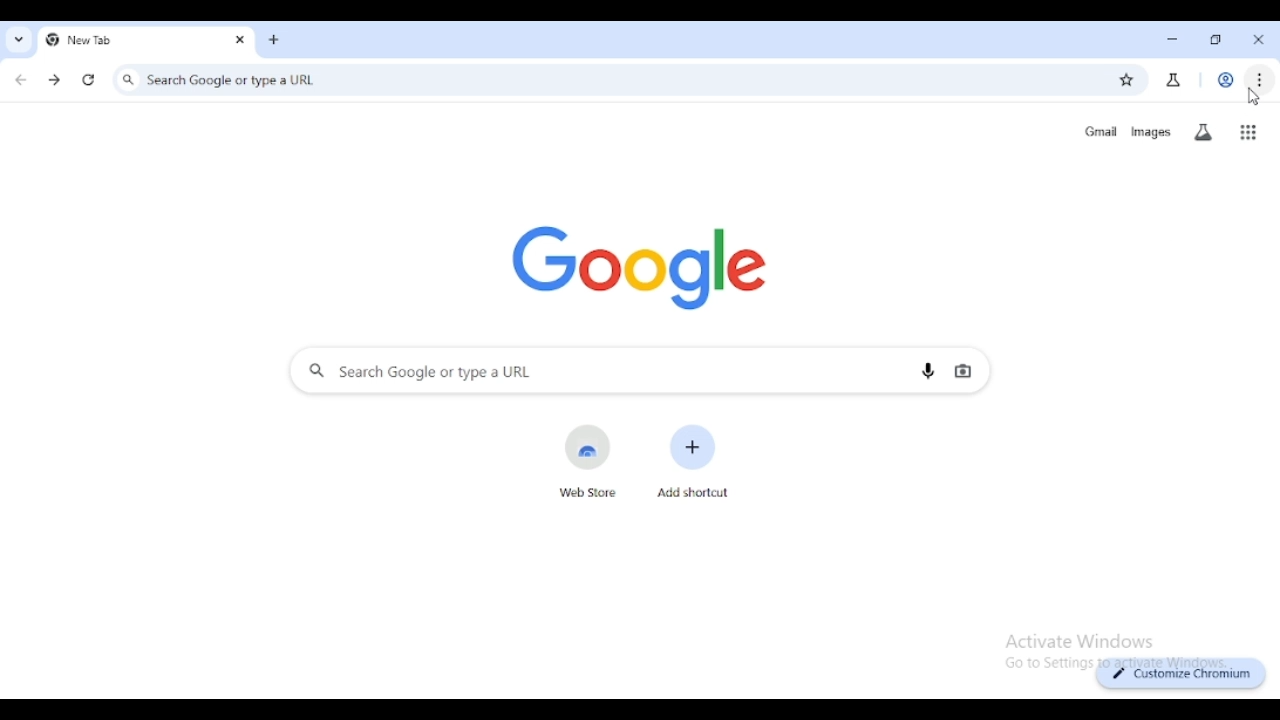 This screenshot has height=720, width=1280. Describe the element at coordinates (1150, 132) in the screenshot. I see `images` at that location.